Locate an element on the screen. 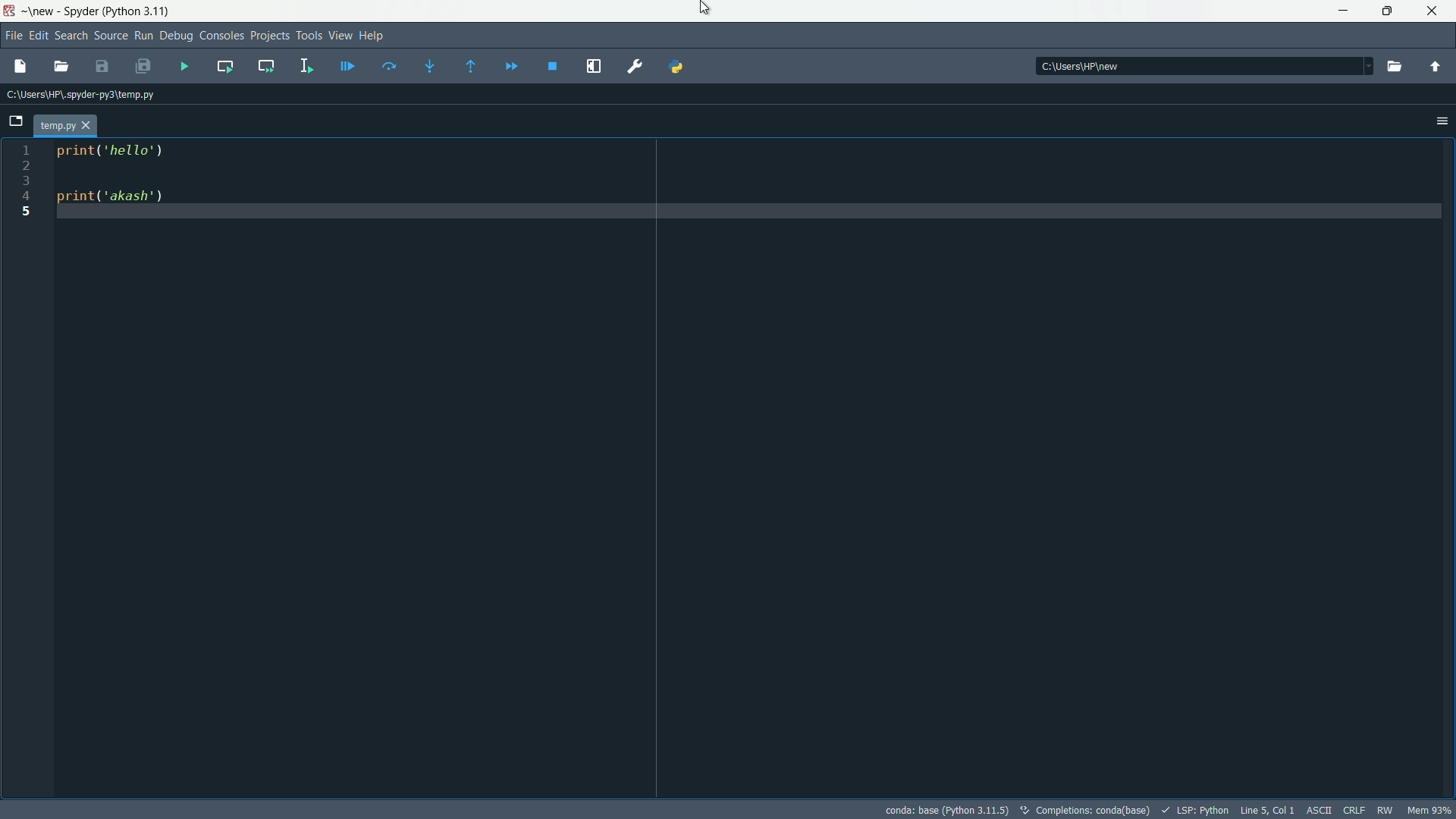 This screenshot has height=819, width=1456. run menu is located at coordinates (145, 35).